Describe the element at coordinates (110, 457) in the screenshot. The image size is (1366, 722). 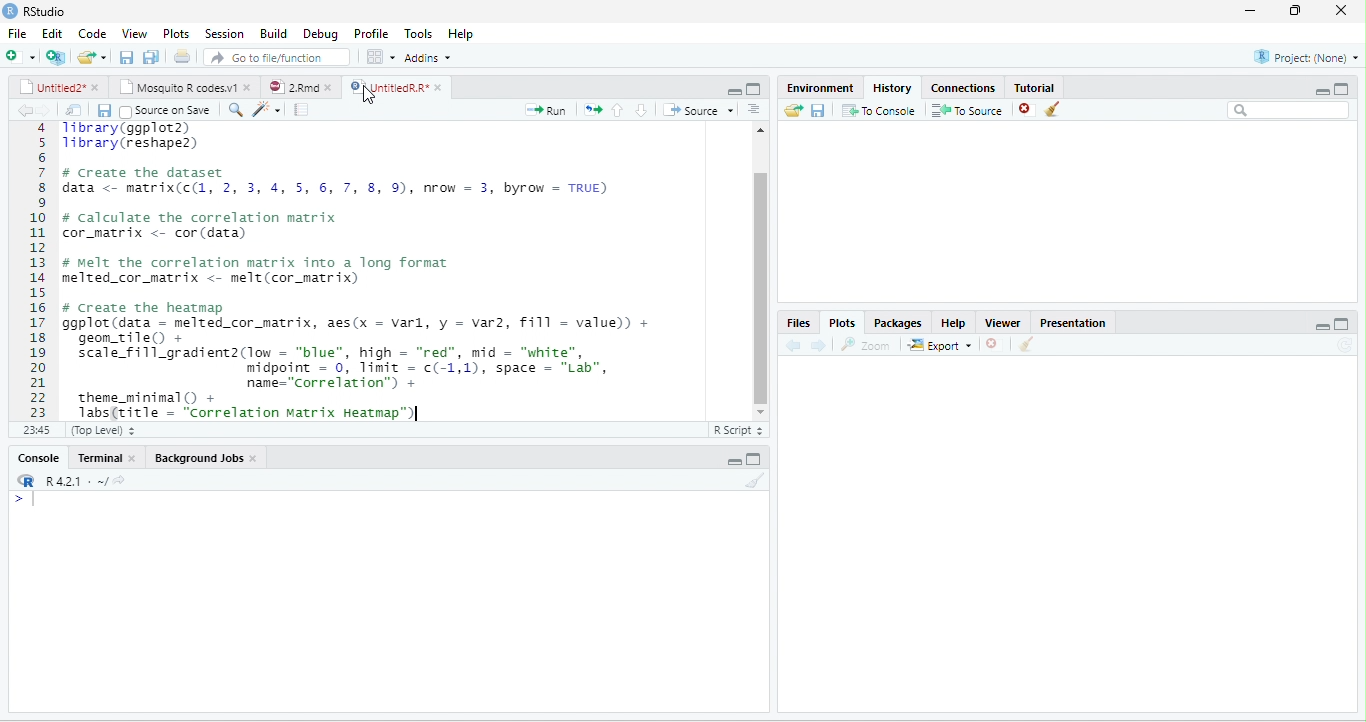
I see `terminal` at that location.